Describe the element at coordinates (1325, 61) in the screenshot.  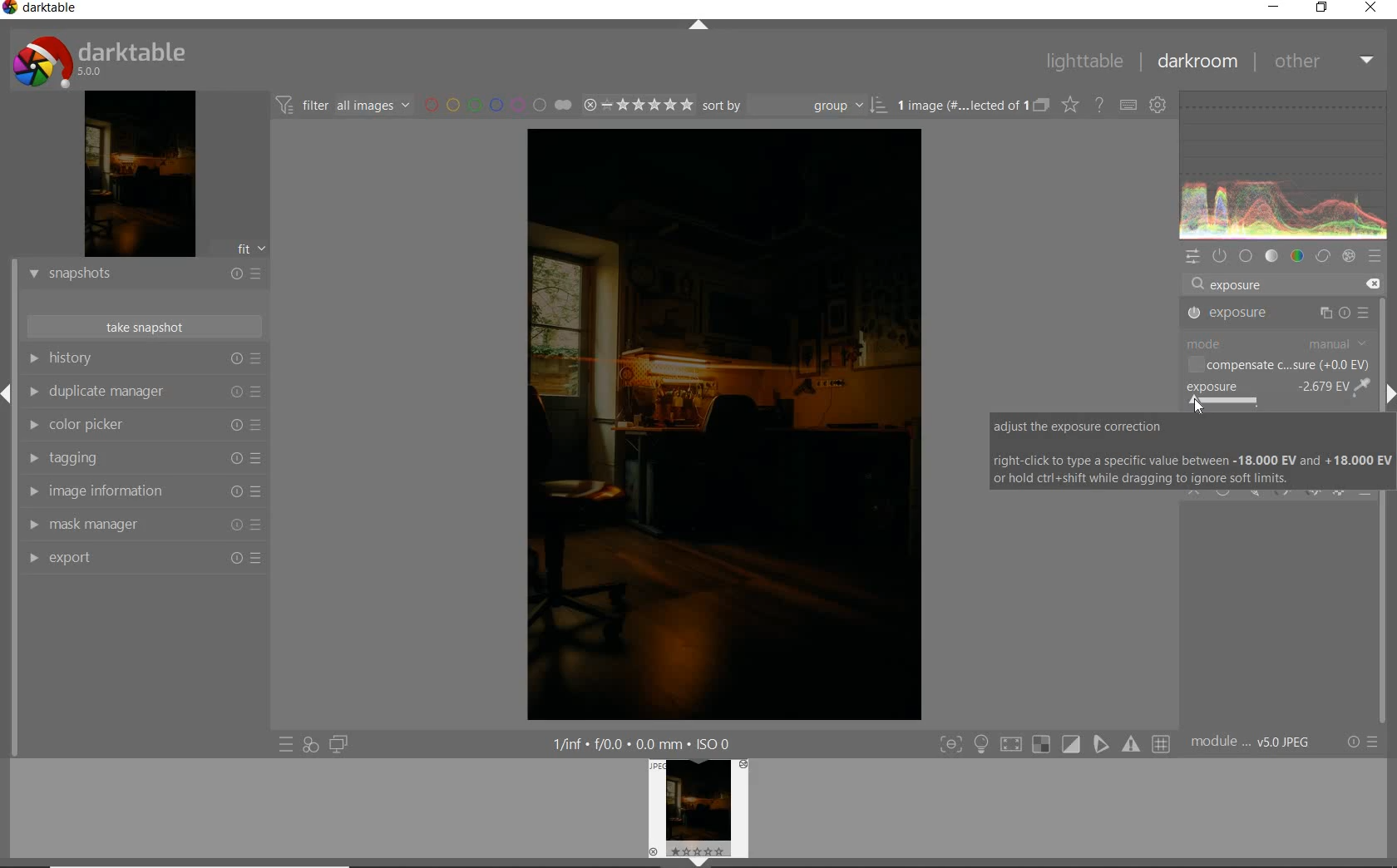
I see `other` at that location.